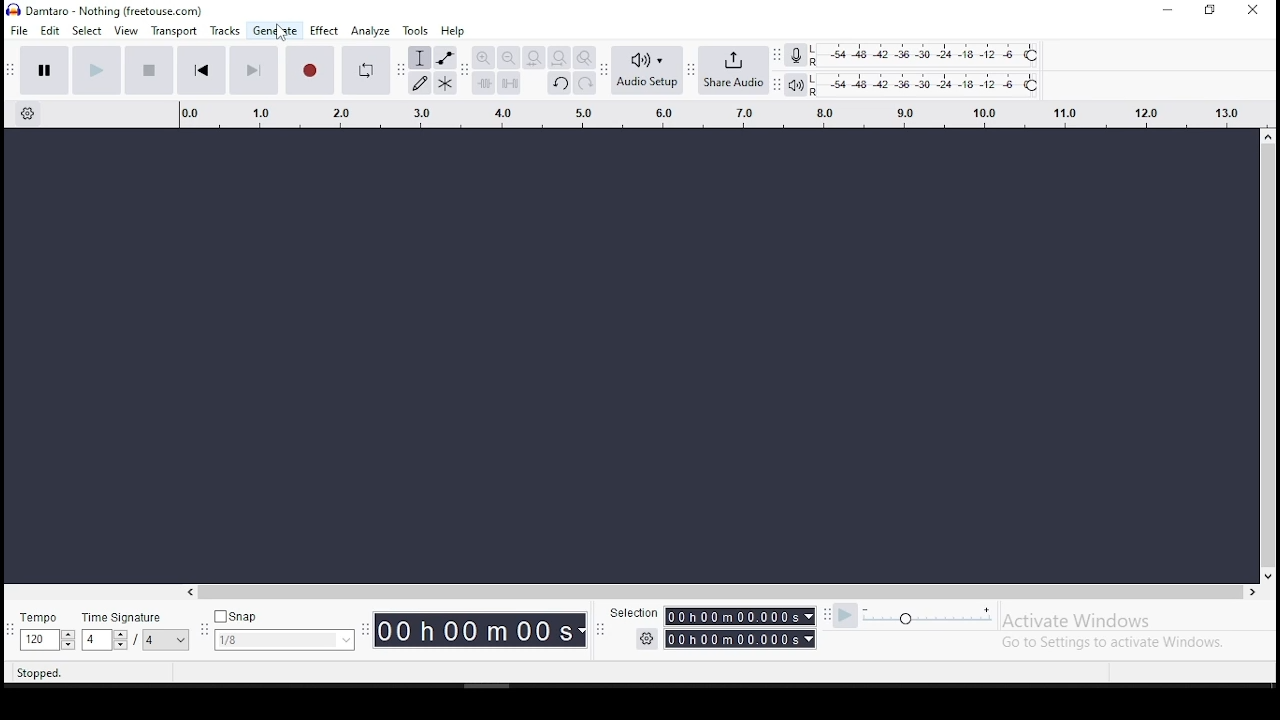 The height and width of the screenshot is (720, 1280). What do you see at coordinates (31, 114) in the screenshot?
I see `timeline settings` at bounding box center [31, 114].